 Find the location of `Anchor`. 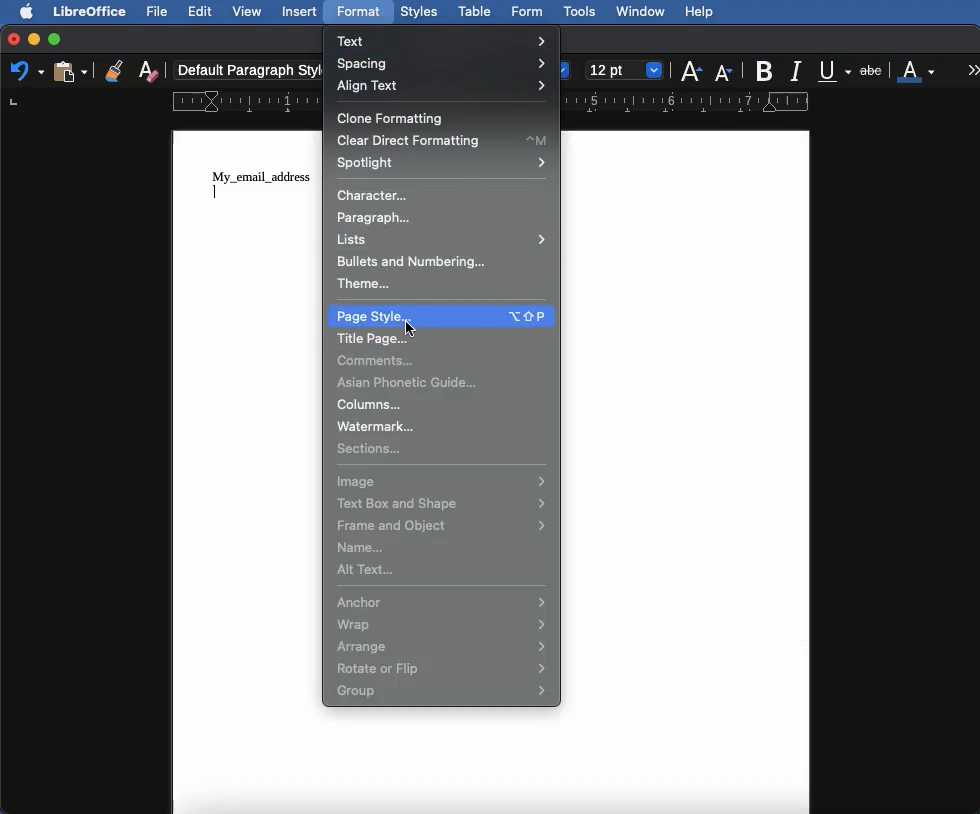

Anchor is located at coordinates (445, 603).